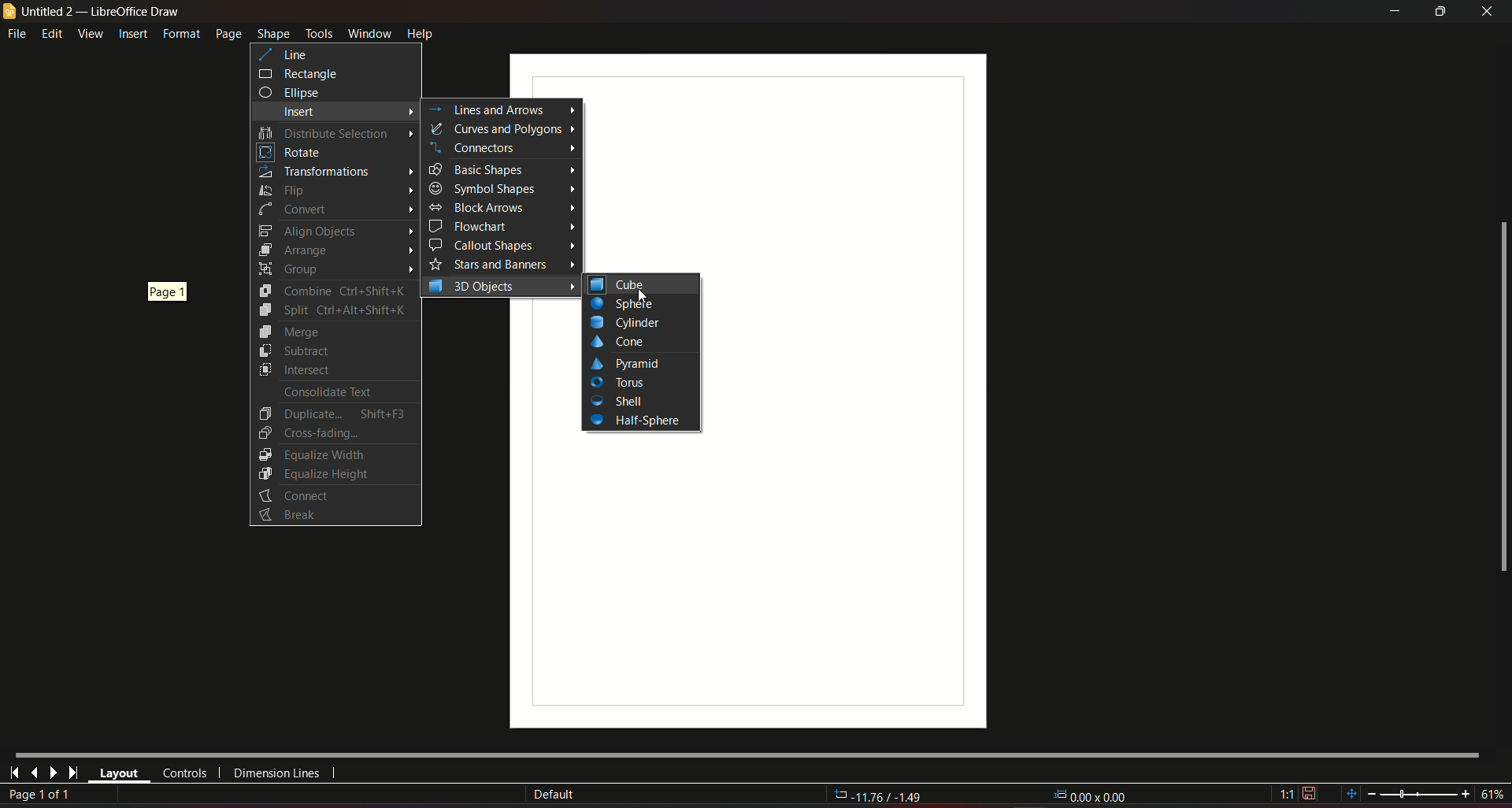  Describe the element at coordinates (227, 34) in the screenshot. I see `page` at that location.